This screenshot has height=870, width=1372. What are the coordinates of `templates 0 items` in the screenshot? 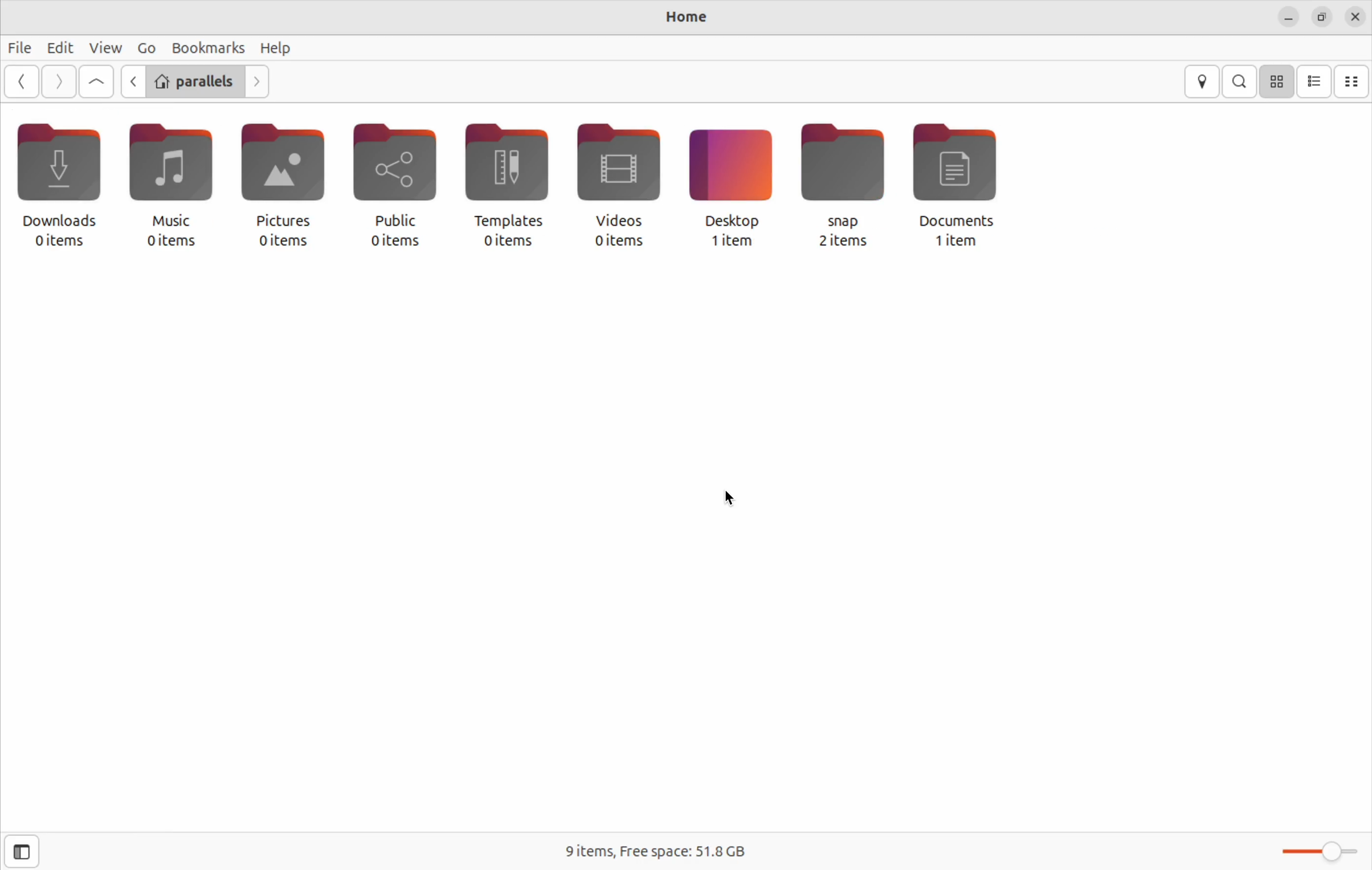 It's located at (517, 186).